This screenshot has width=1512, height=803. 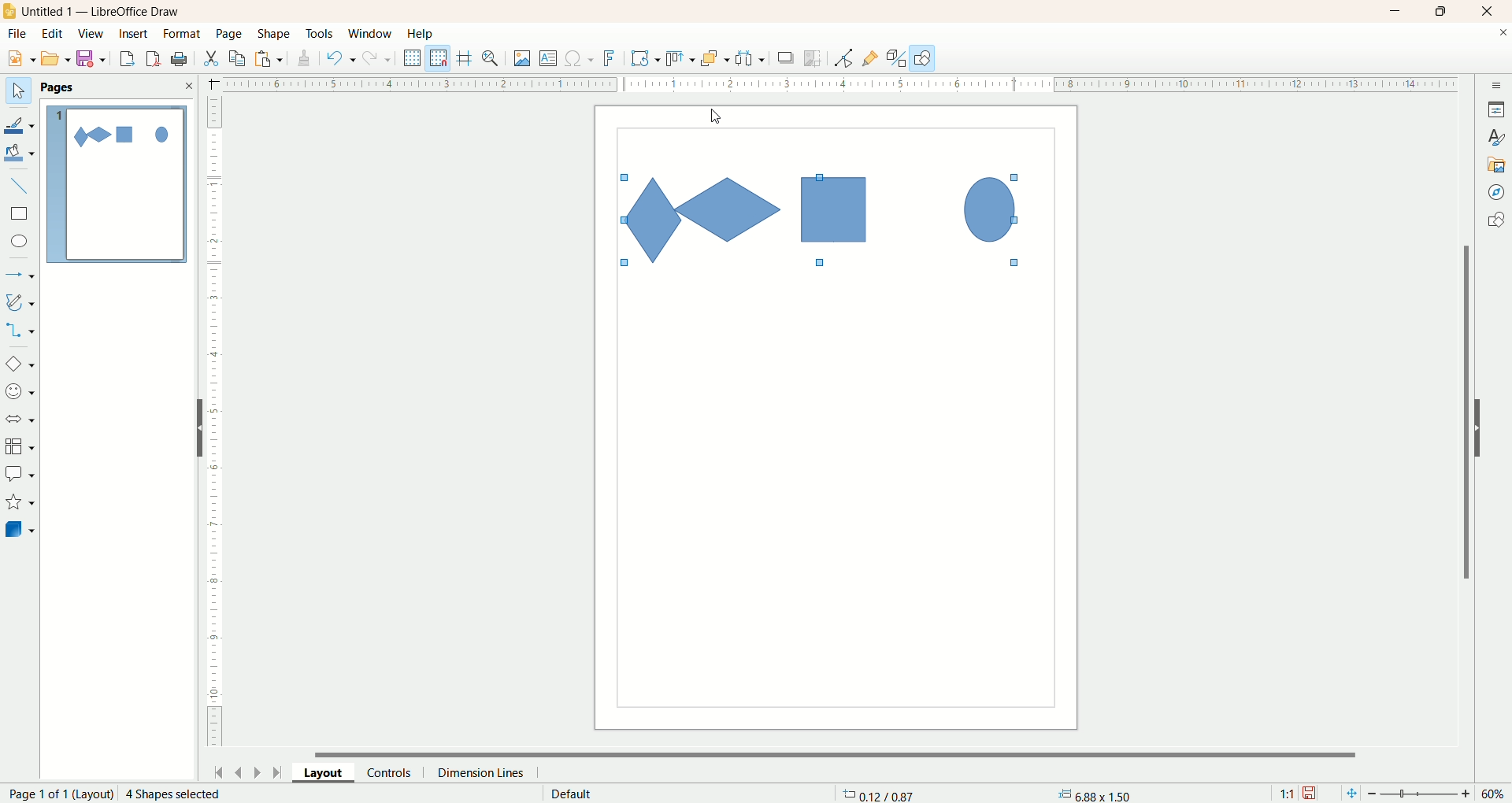 I want to click on minimize, so click(x=1396, y=11).